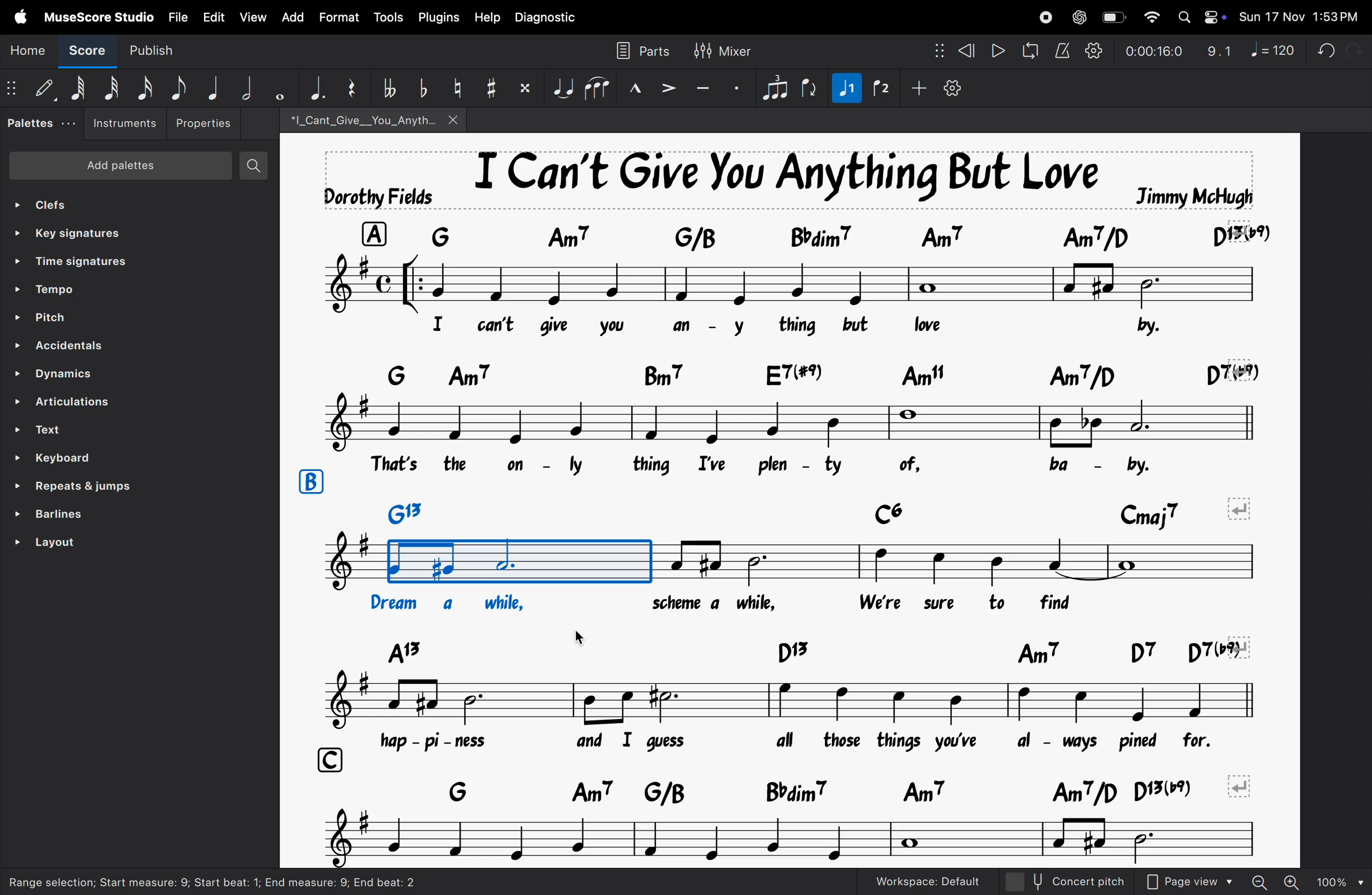  I want to click on musescore studio menu, so click(99, 18).